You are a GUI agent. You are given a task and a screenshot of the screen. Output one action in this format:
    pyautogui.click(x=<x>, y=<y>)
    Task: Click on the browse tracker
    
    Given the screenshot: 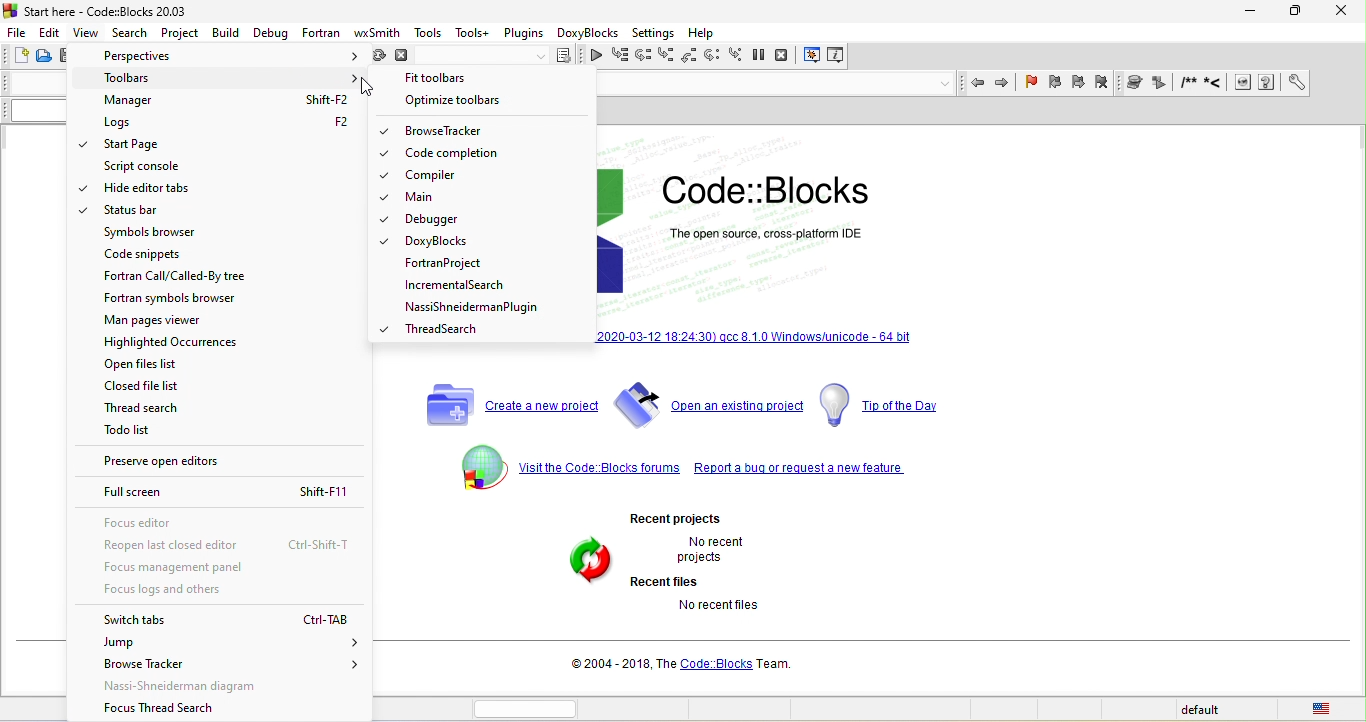 What is the action you would take?
    pyautogui.click(x=443, y=132)
    